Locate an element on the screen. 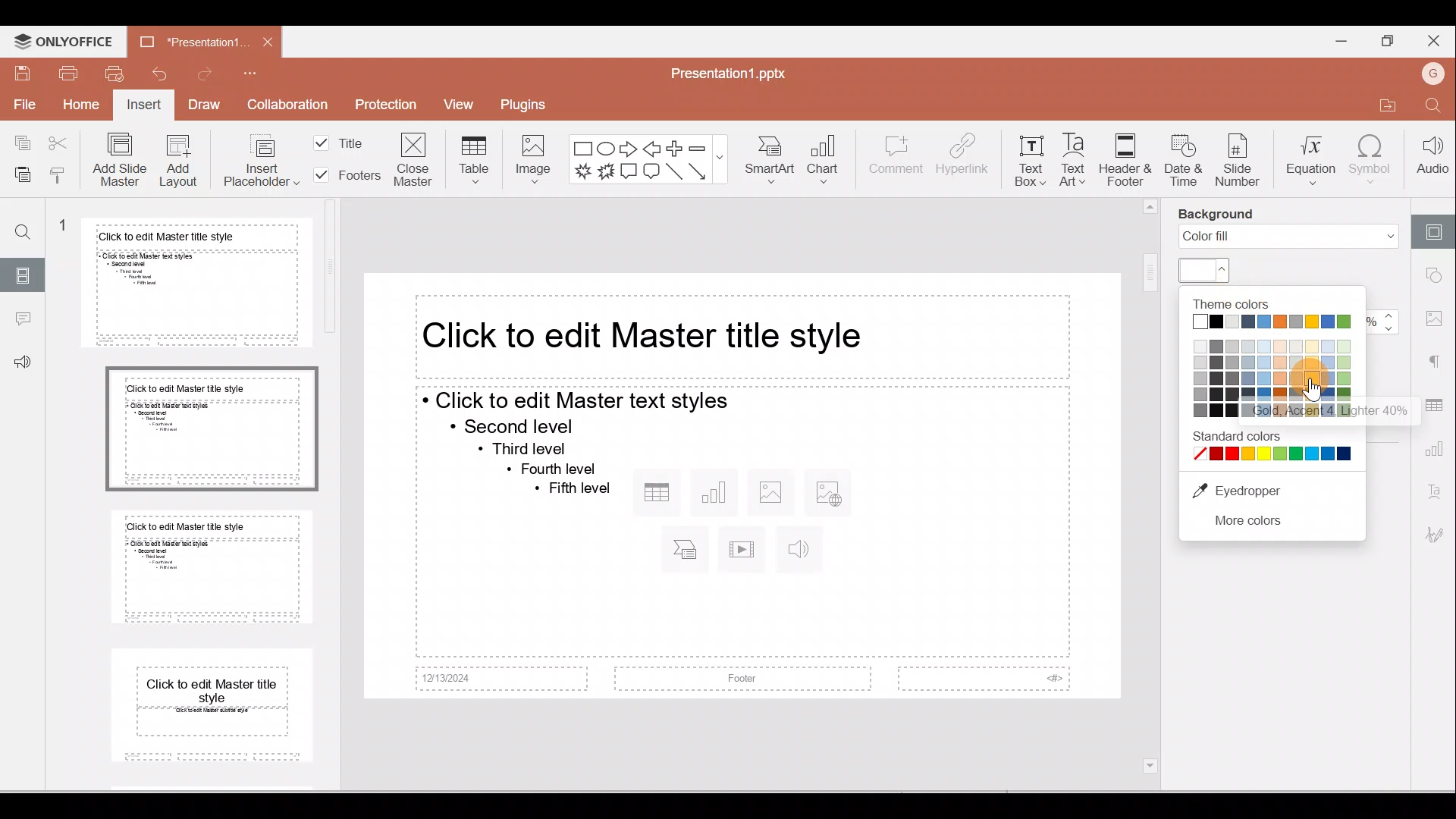  Master slide 1 is located at coordinates (196, 283).